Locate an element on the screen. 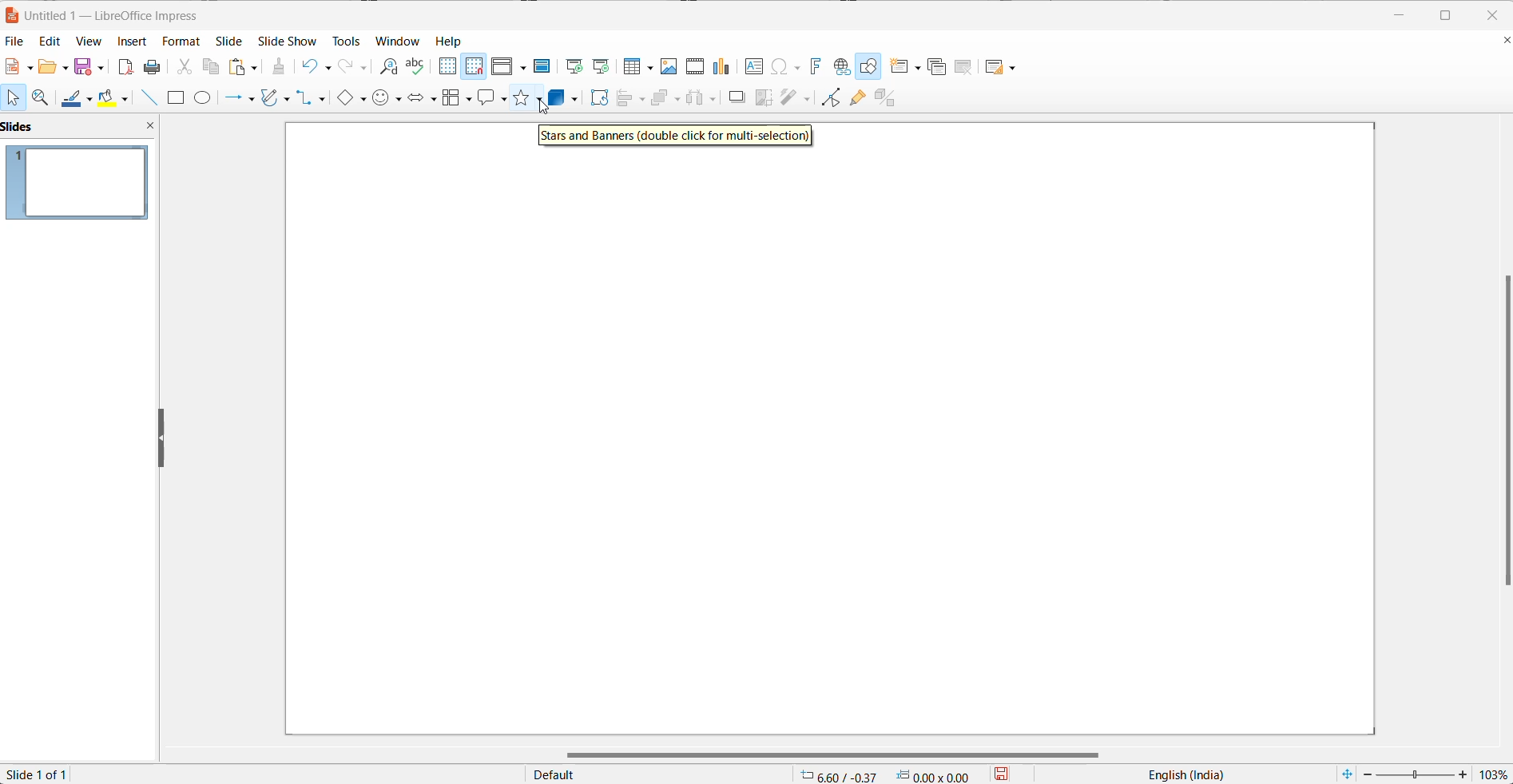  undo is located at coordinates (321, 65).